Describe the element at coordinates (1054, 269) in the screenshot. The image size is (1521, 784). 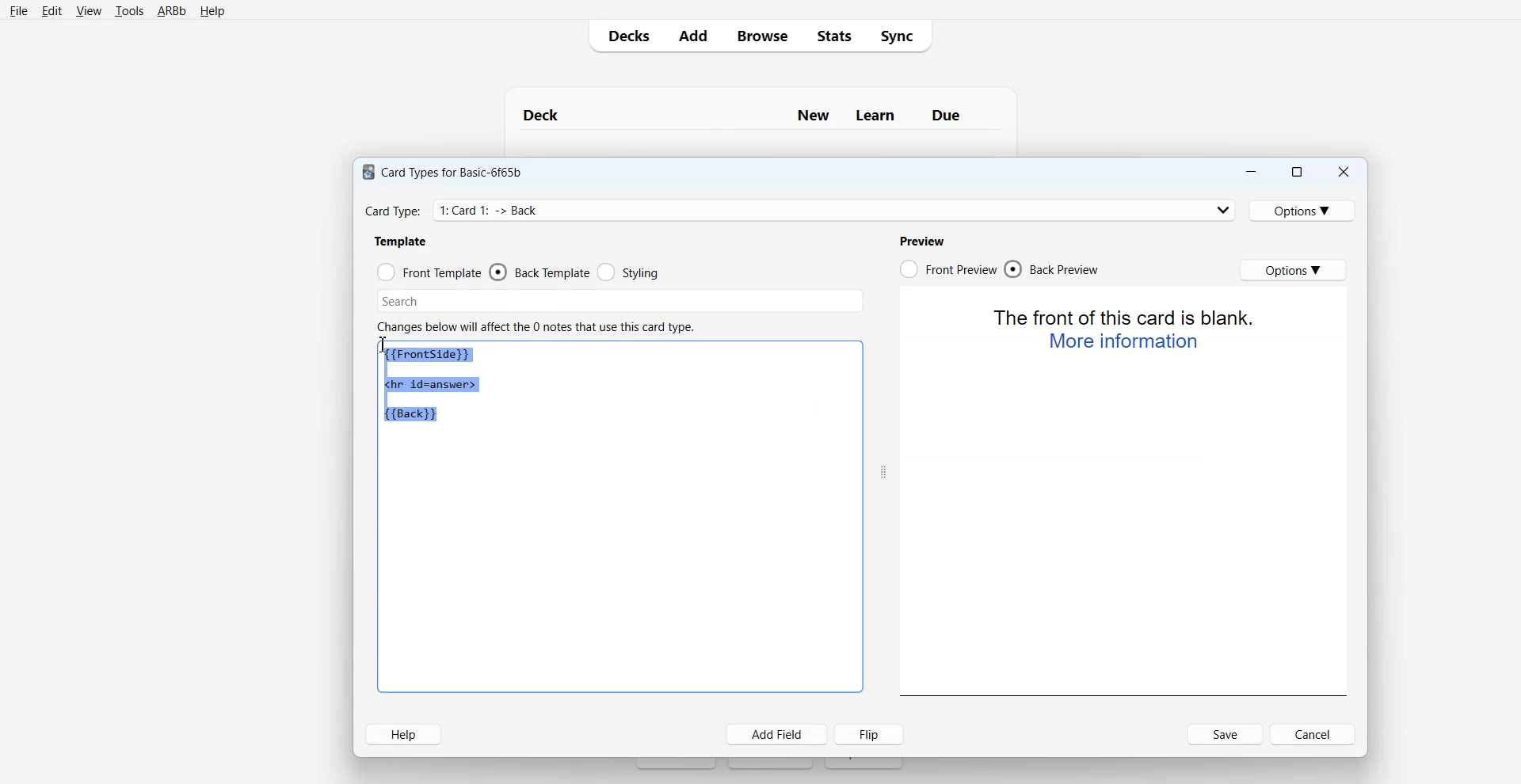
I see `Back Preview` at that location.